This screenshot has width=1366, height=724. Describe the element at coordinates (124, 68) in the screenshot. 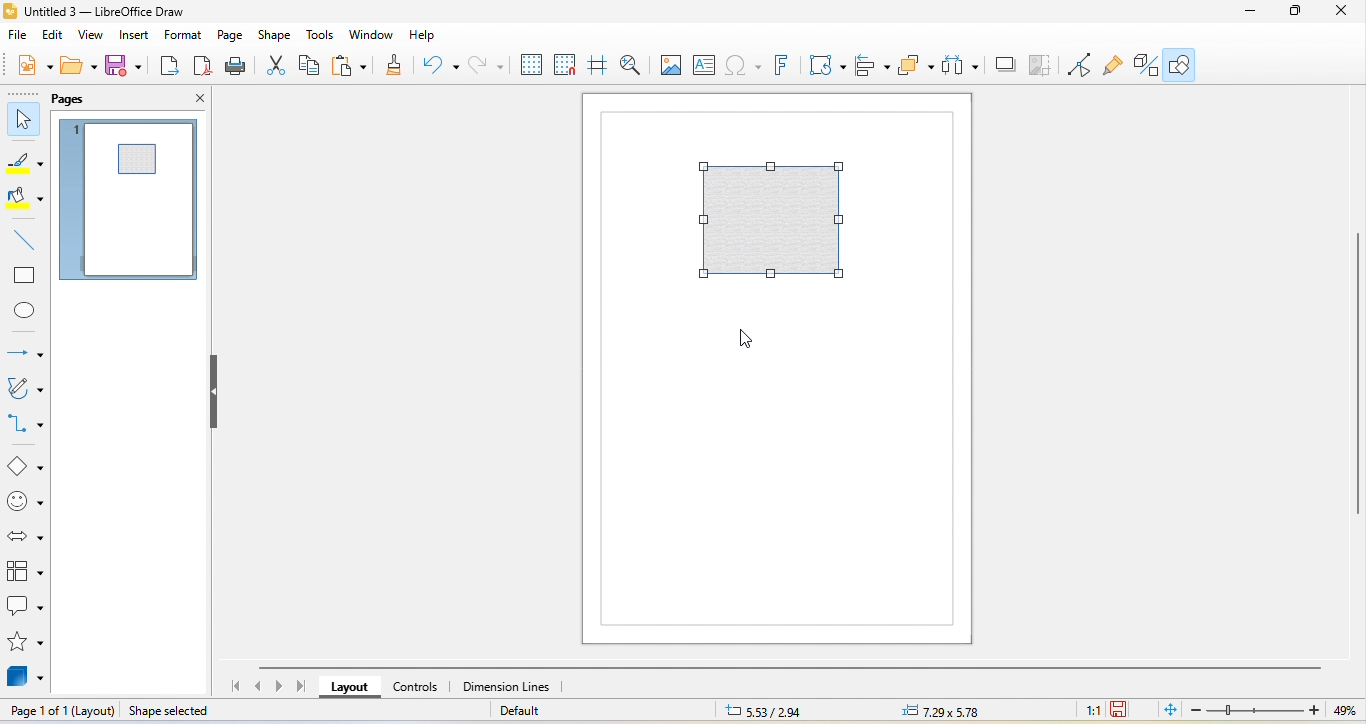

I see `save` at that location.